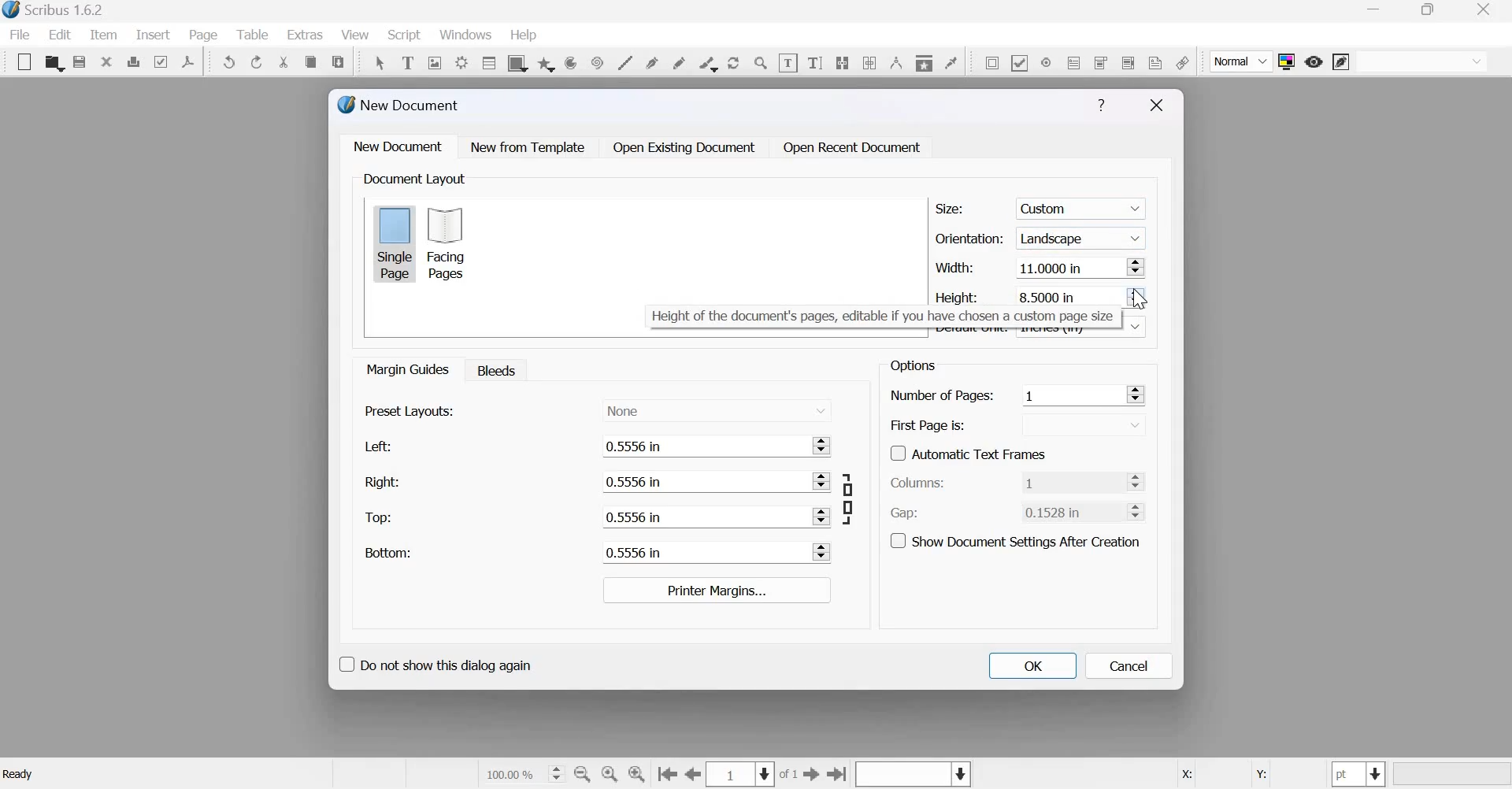  Describe the element at coordinates (706, 62) in the screenshot. I see `calligraphic line` at that location.